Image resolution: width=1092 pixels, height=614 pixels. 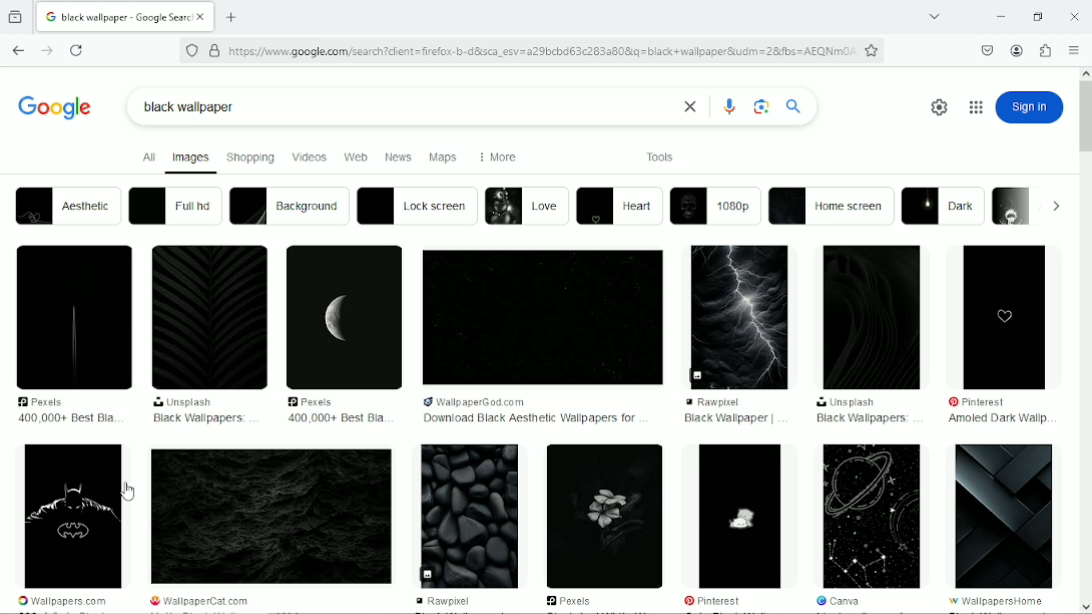 What do you see at coordinates (1006, 315) in the screenshot?
I see `black image` at bounding box center [1006, 315].